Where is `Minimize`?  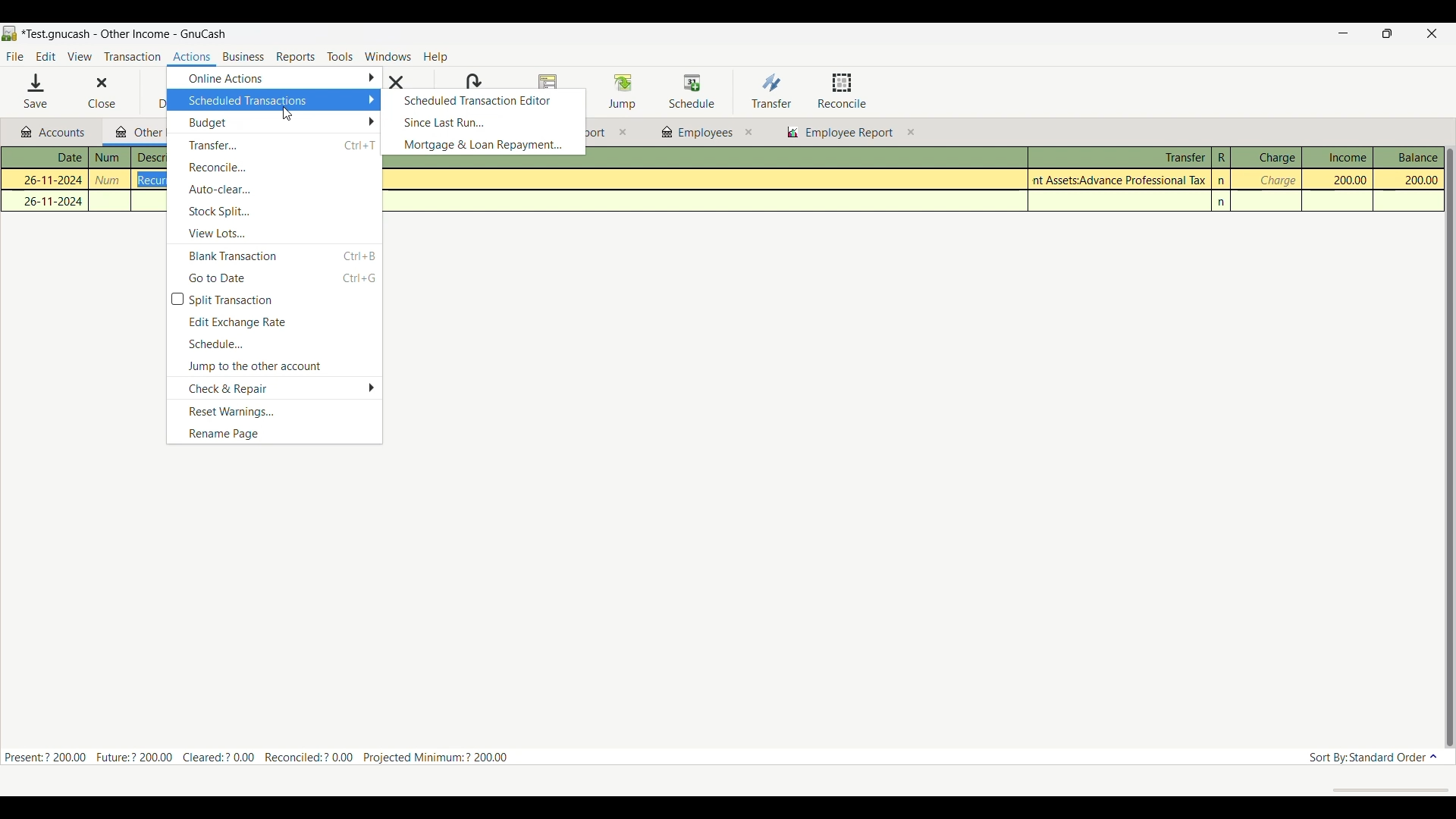 Minimize is located at coordinates (1338, 34).